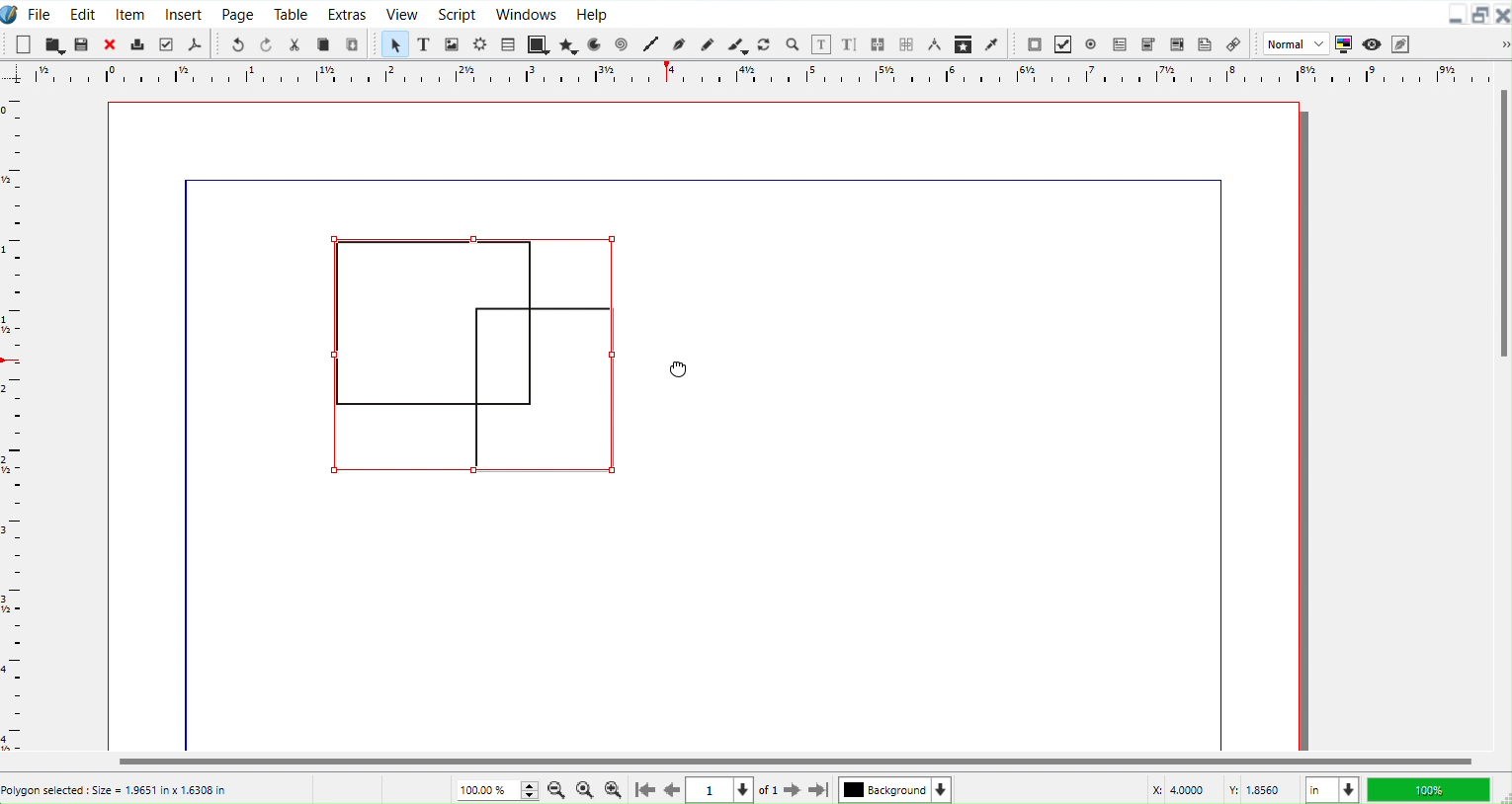  I want to click on PDF Radio Button, so click(1091, 43).